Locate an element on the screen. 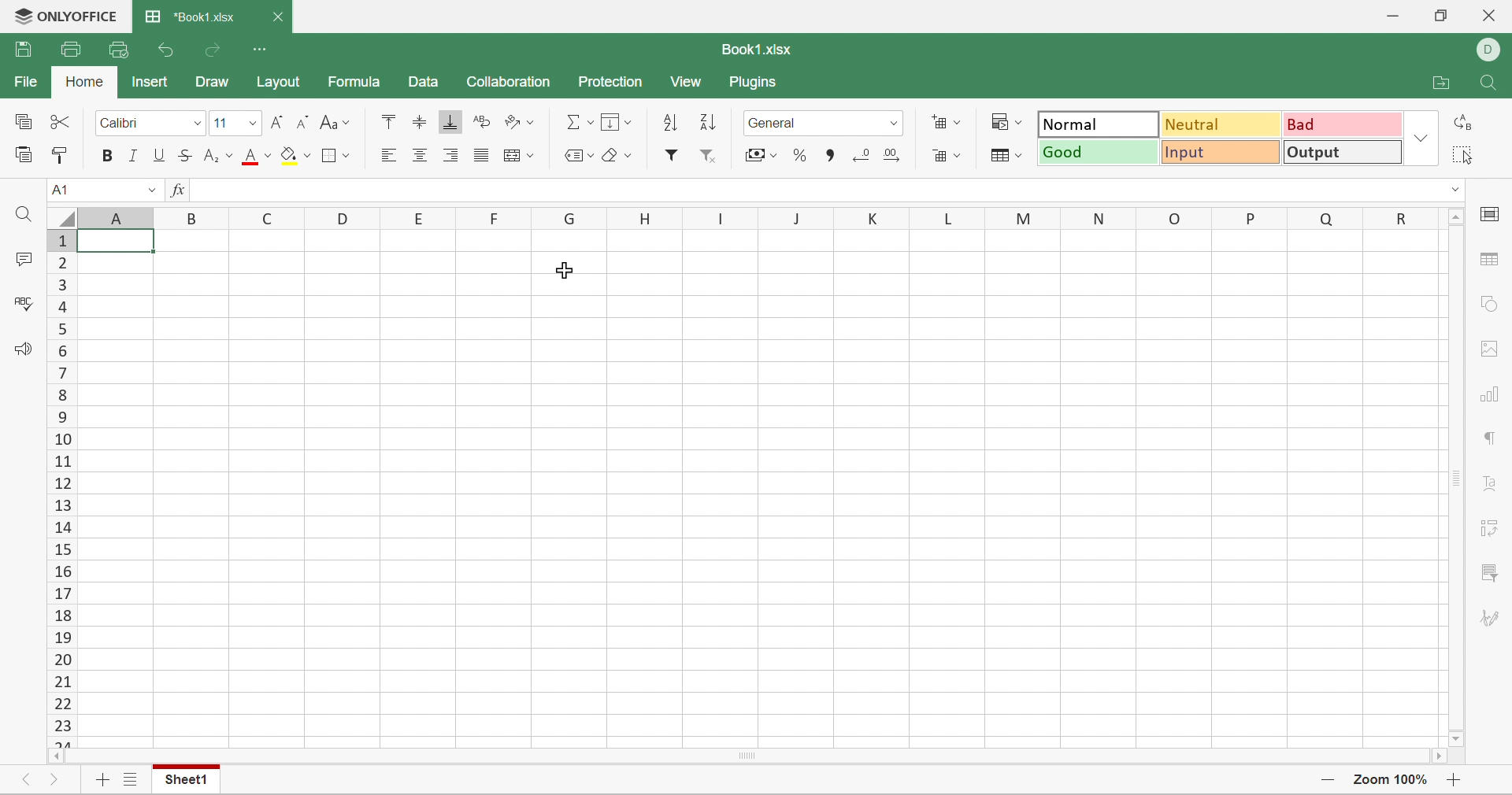  L is located at coordinates (936, 217).